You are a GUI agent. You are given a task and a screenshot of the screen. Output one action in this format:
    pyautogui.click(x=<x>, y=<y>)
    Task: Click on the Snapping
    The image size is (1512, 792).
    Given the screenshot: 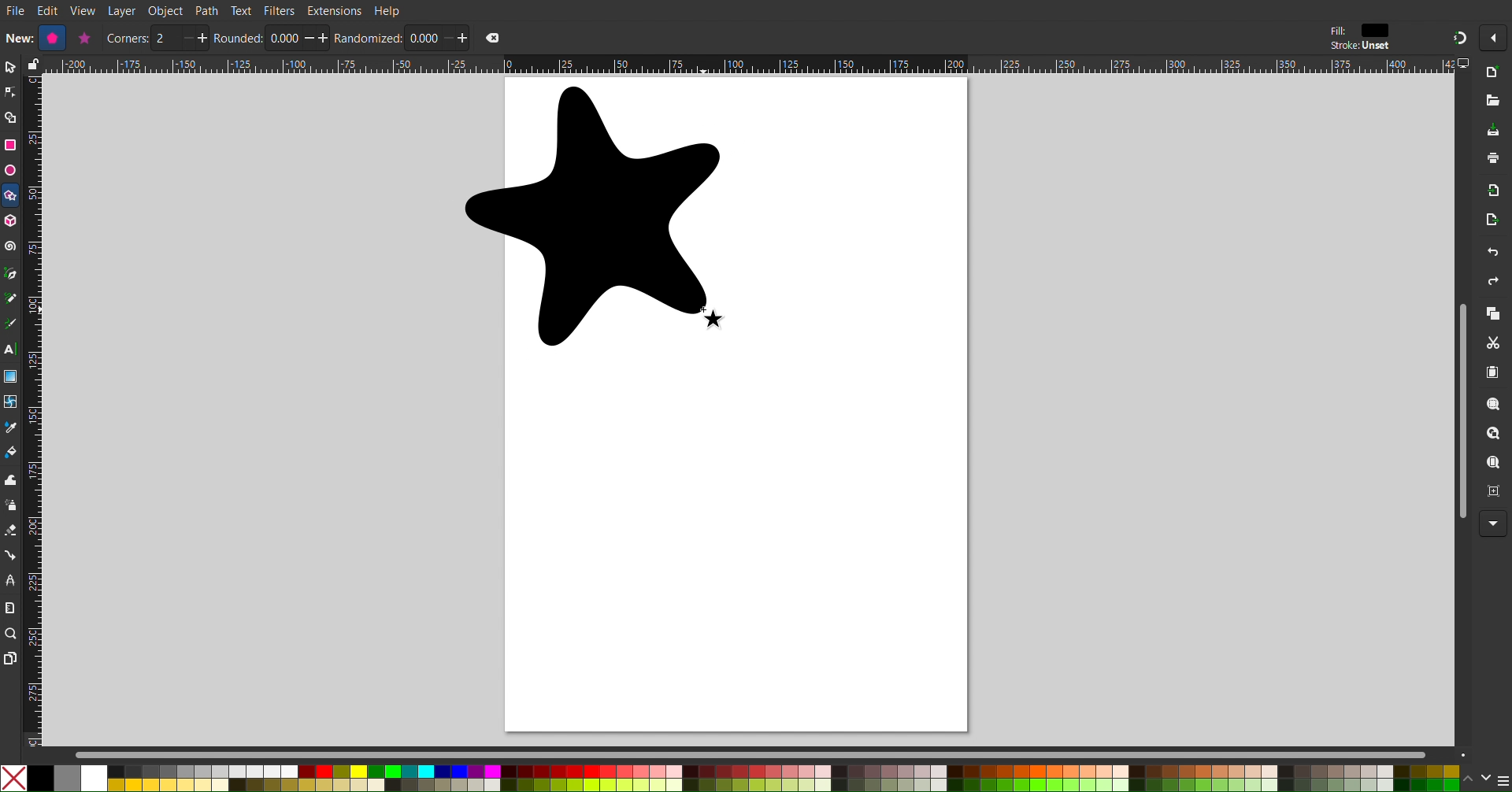 What is the action you would take?
    pyautogui.click(x=1458, y=37)
    